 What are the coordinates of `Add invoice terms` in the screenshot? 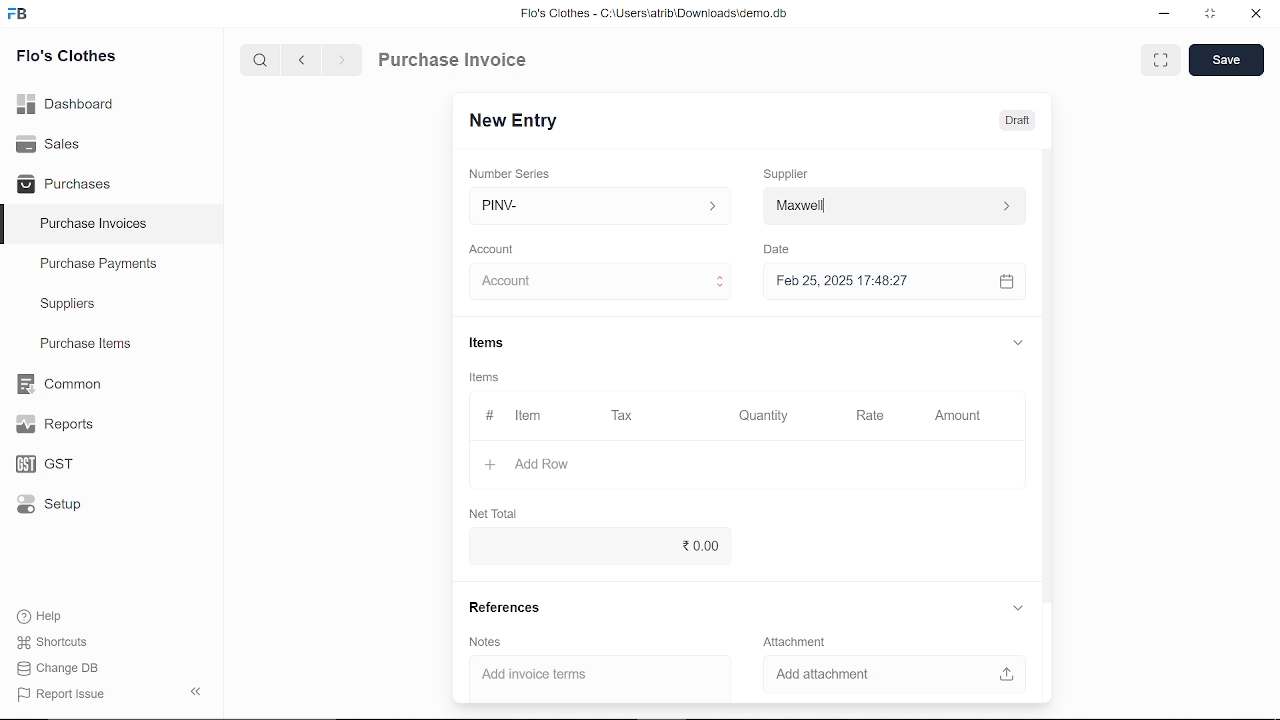 It's located at (590, 675).